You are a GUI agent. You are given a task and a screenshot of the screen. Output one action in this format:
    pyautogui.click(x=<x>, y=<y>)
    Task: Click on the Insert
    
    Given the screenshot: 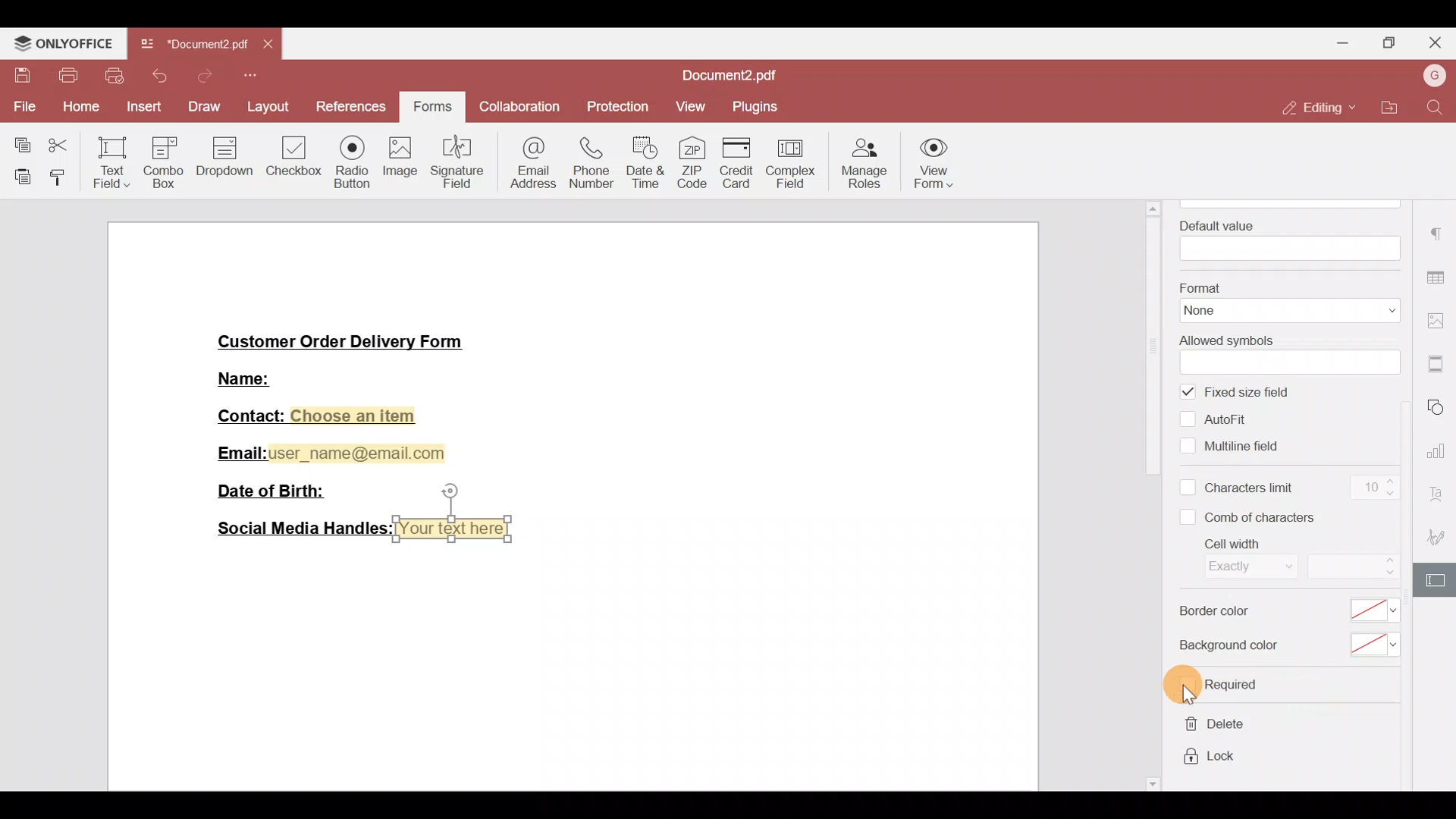 What is the action you would take?
    pyautogui.click(x=142, y=108)
    